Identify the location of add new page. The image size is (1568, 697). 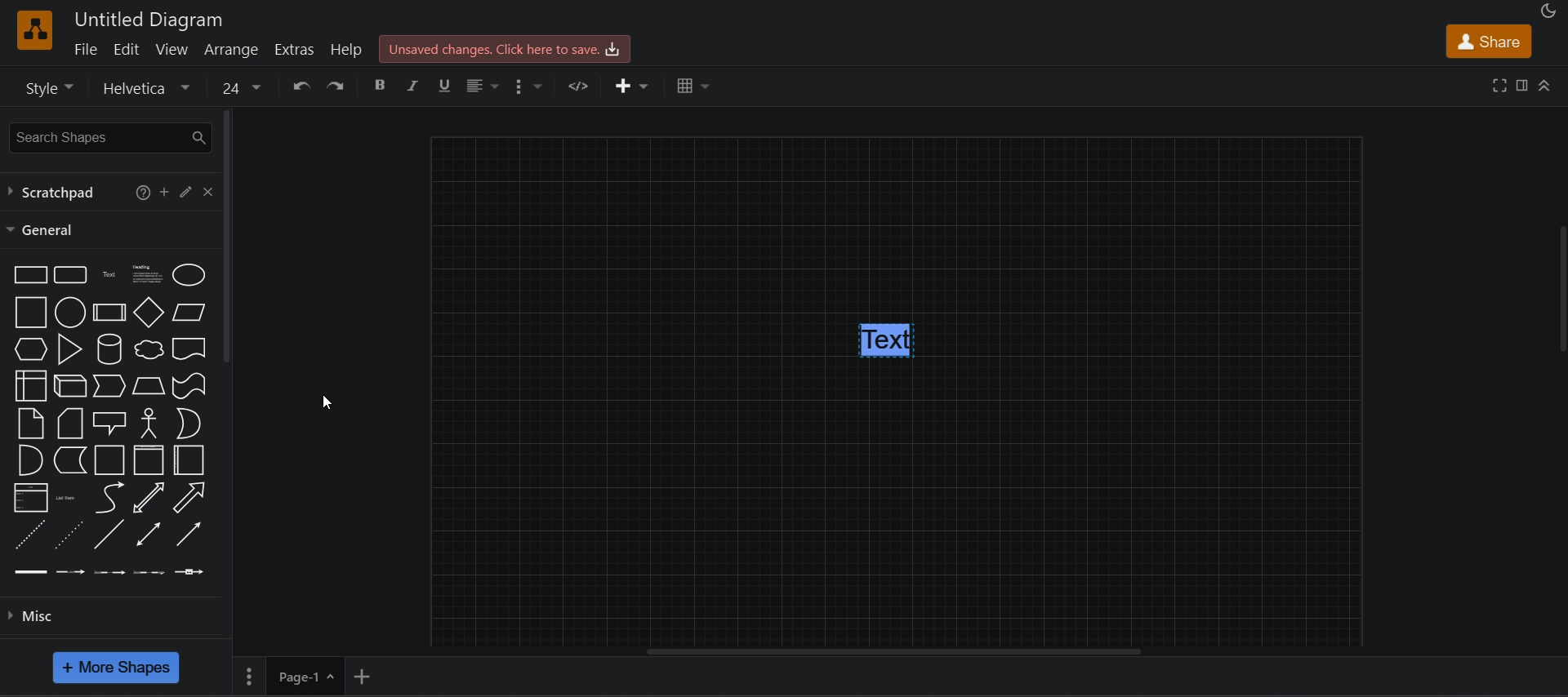
(363, 677).